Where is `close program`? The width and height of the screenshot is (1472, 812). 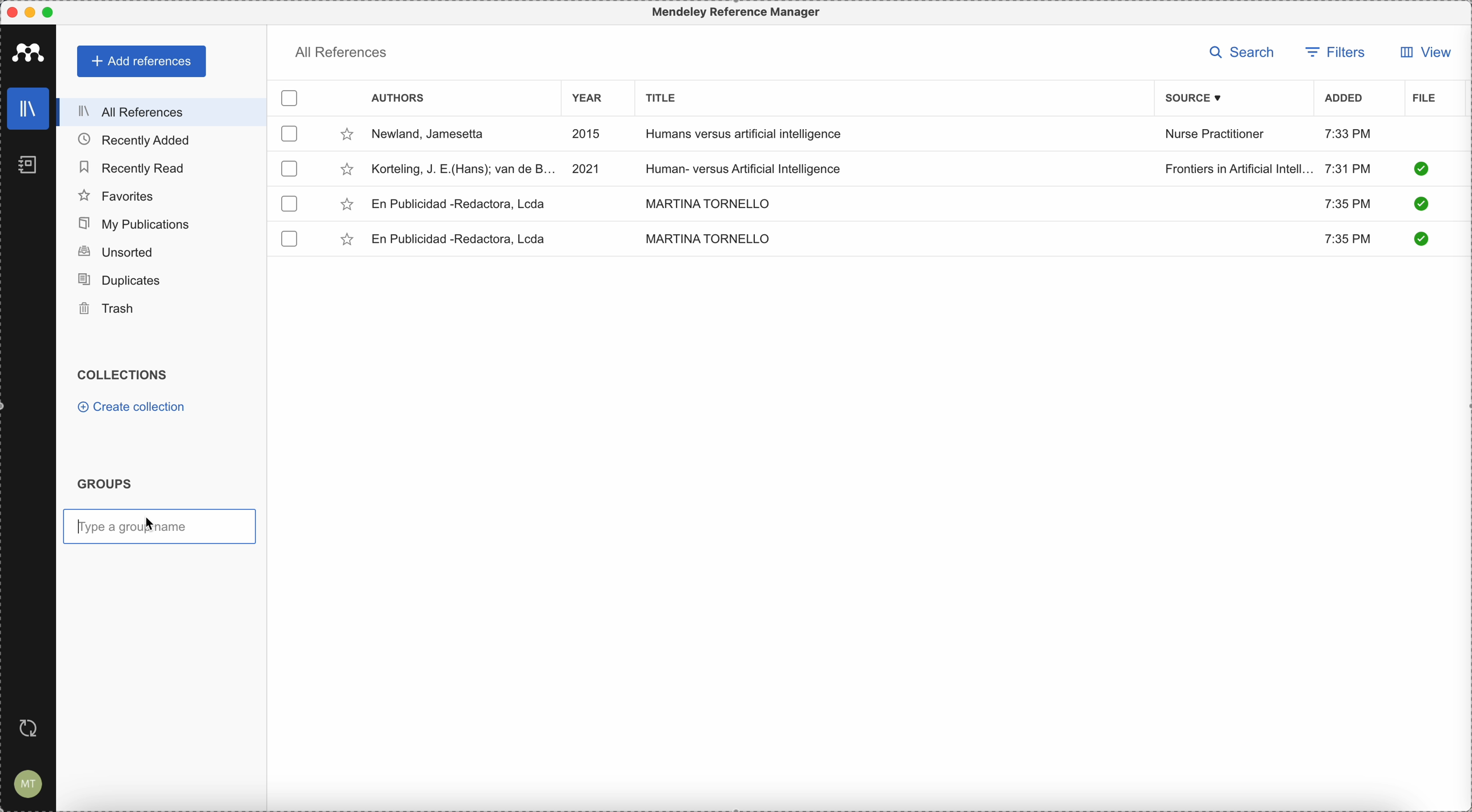
close program is located at coordinates (12, 13).